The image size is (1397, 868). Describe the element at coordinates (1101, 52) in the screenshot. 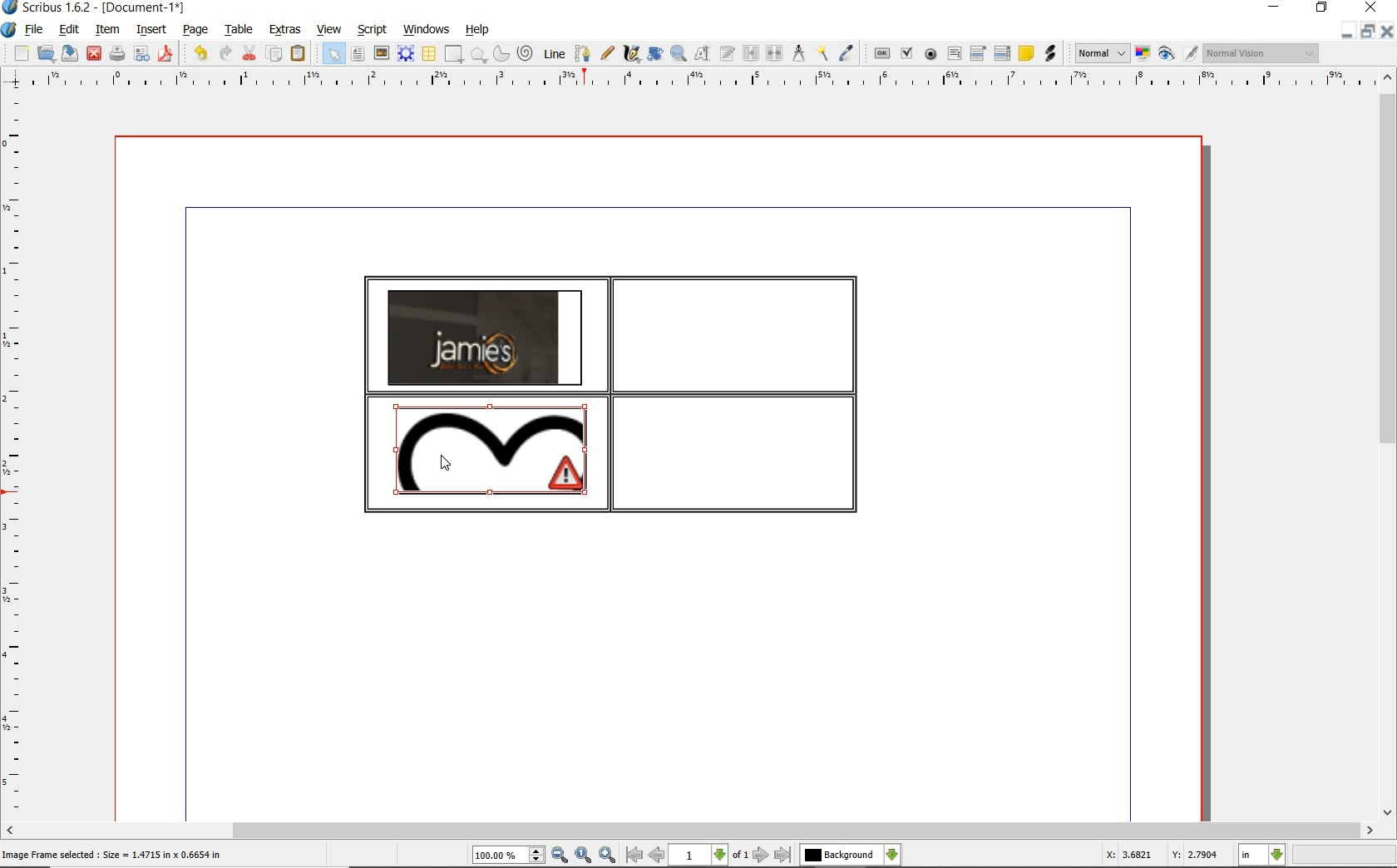

I see `image preview quality` at that location.